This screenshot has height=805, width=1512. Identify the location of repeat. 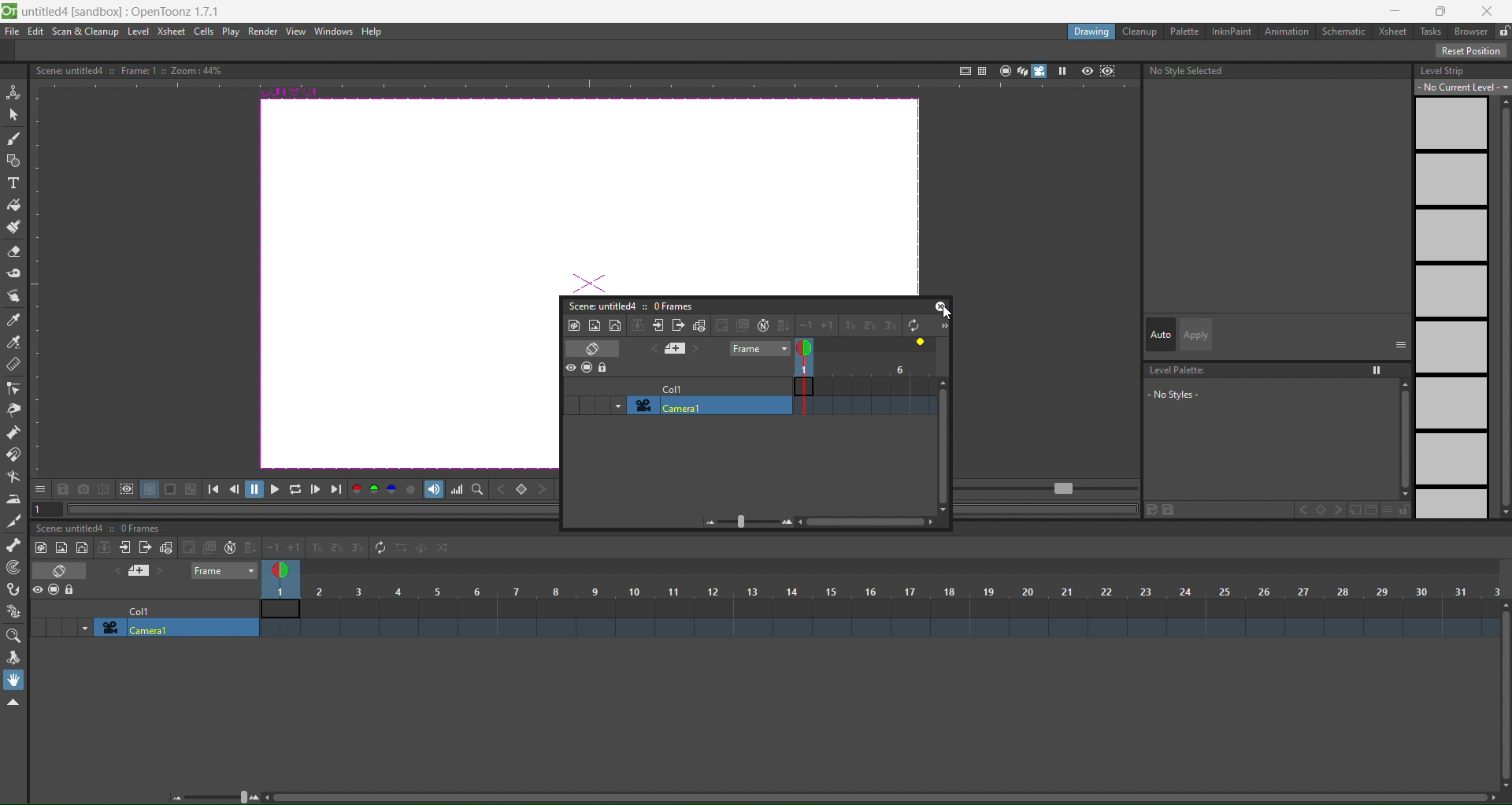
(376, 547).